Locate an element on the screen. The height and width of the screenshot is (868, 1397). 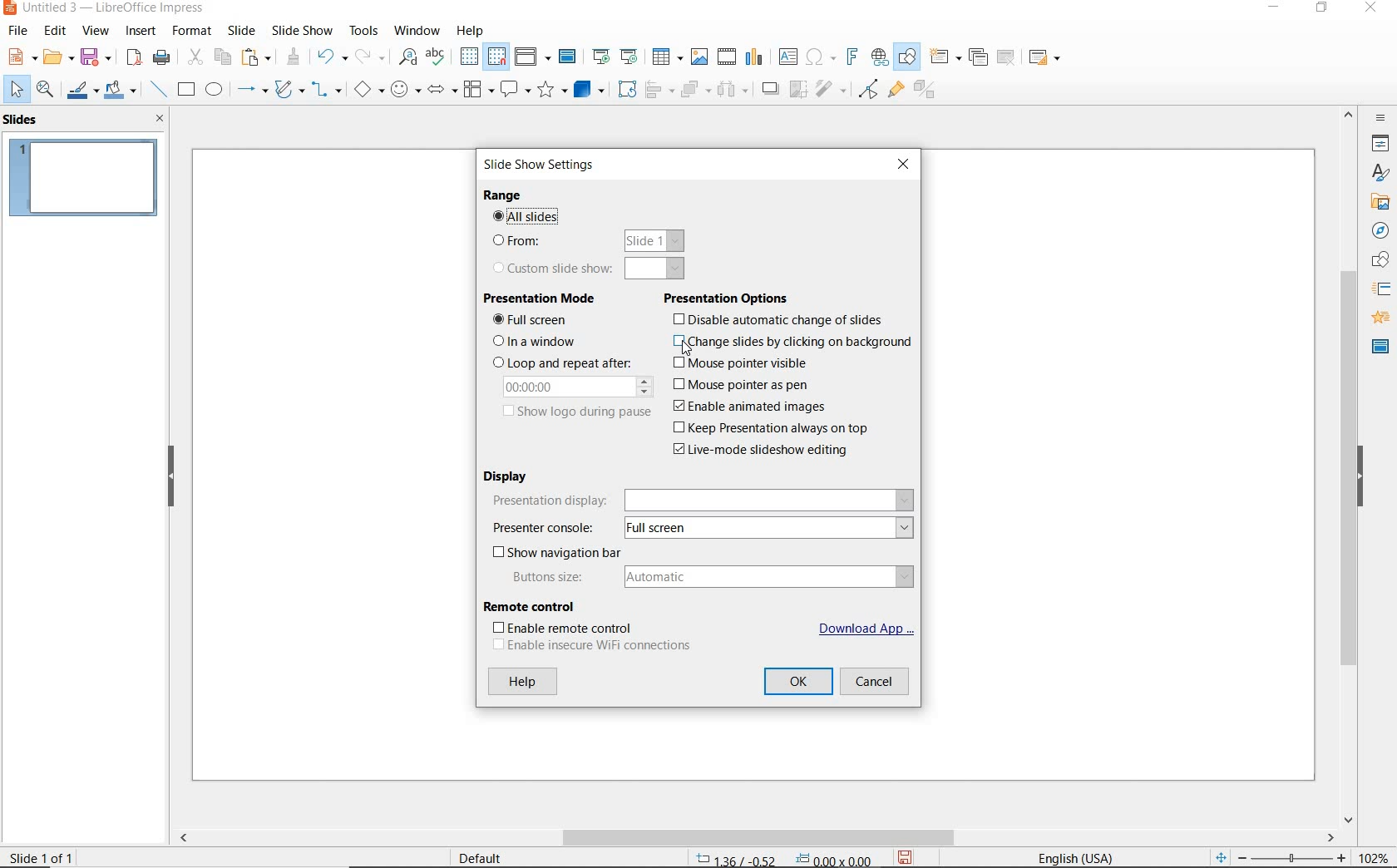
TABLE is located at coordinates (664, 57).